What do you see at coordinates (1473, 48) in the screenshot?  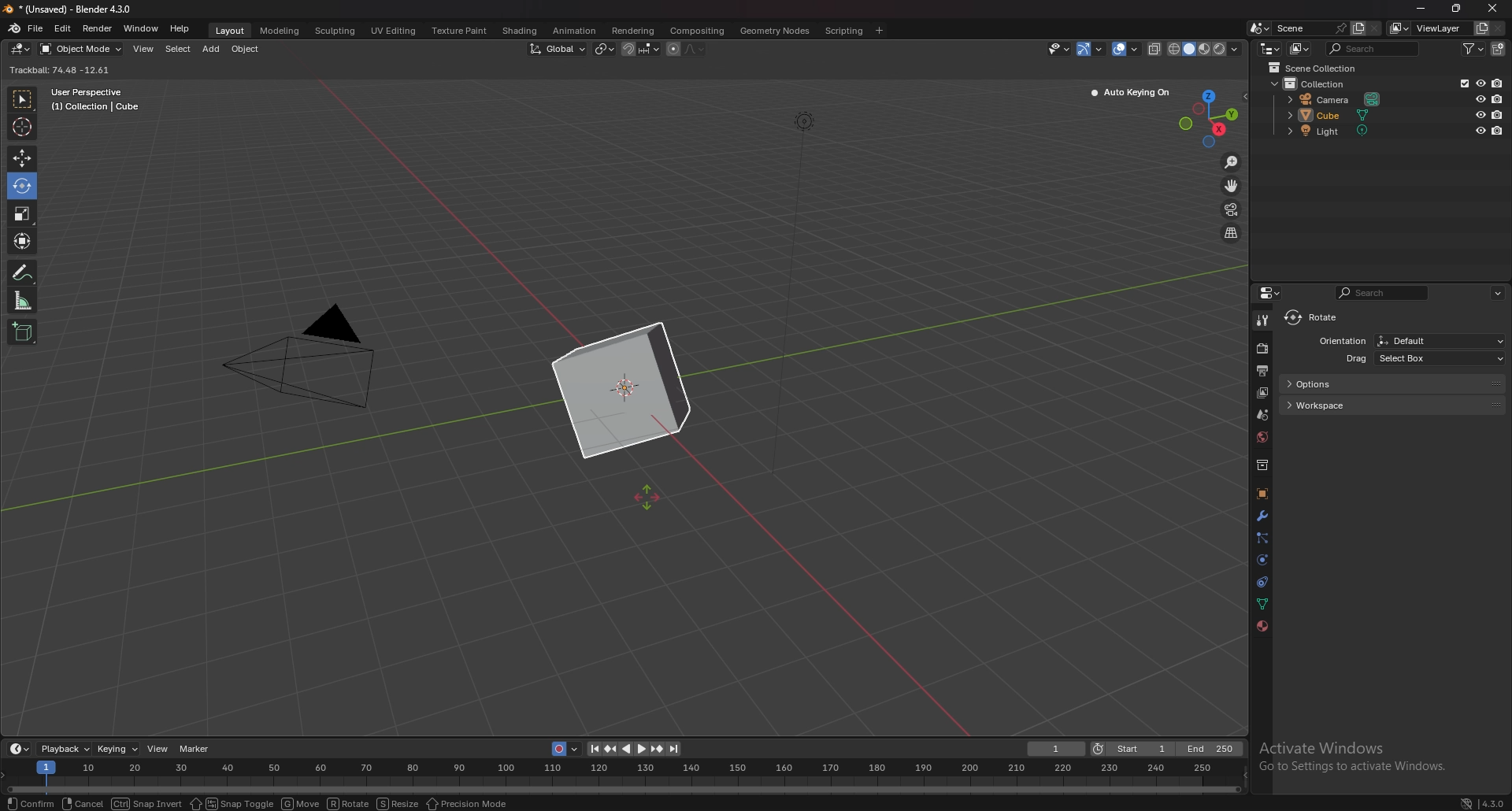 I see `filter` at bounding box center [1473, 48].